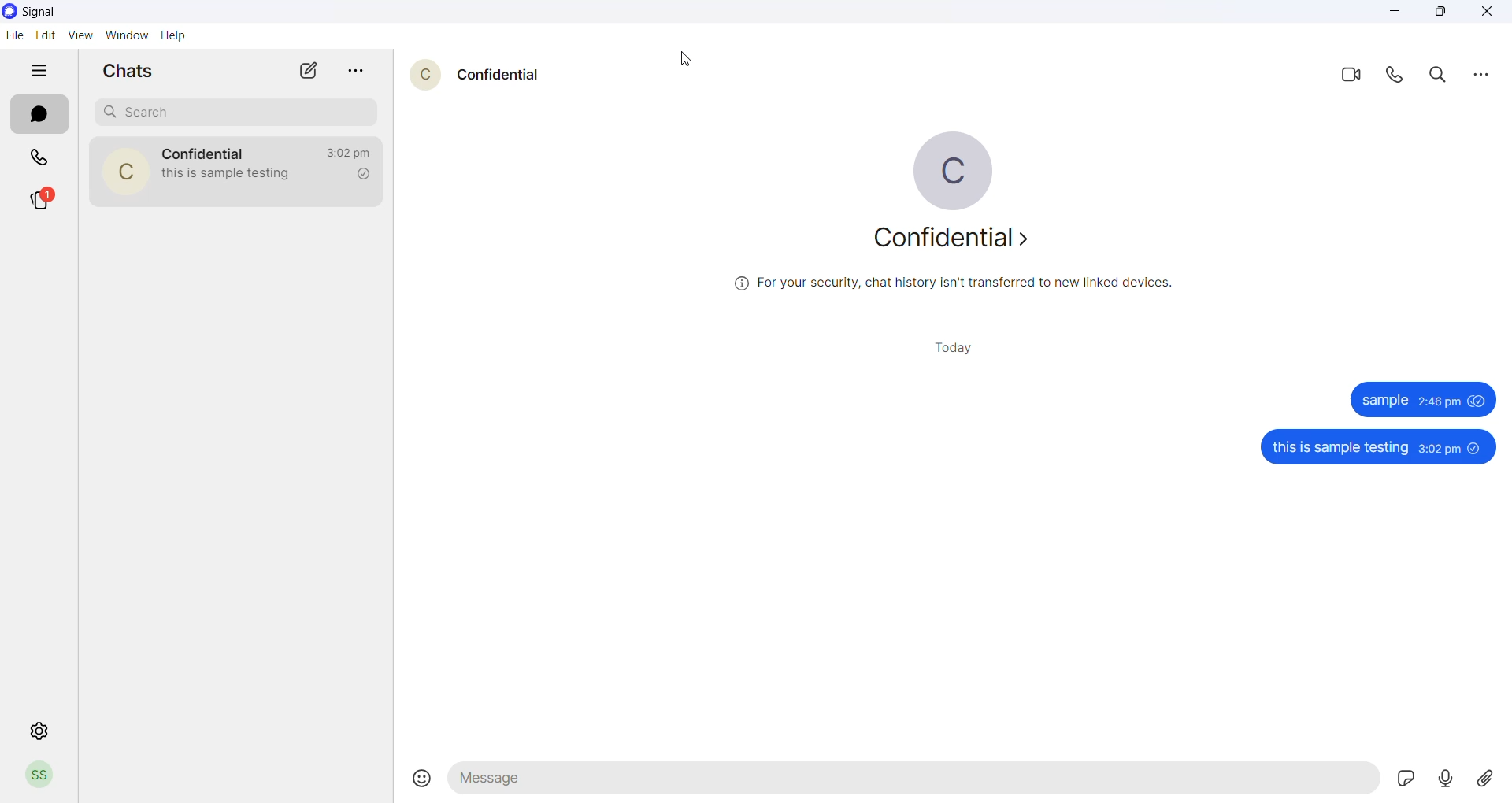  What do you see at coordinates (128, 34) in the screenshot?
I see `window` at bounding box center [128, 34].